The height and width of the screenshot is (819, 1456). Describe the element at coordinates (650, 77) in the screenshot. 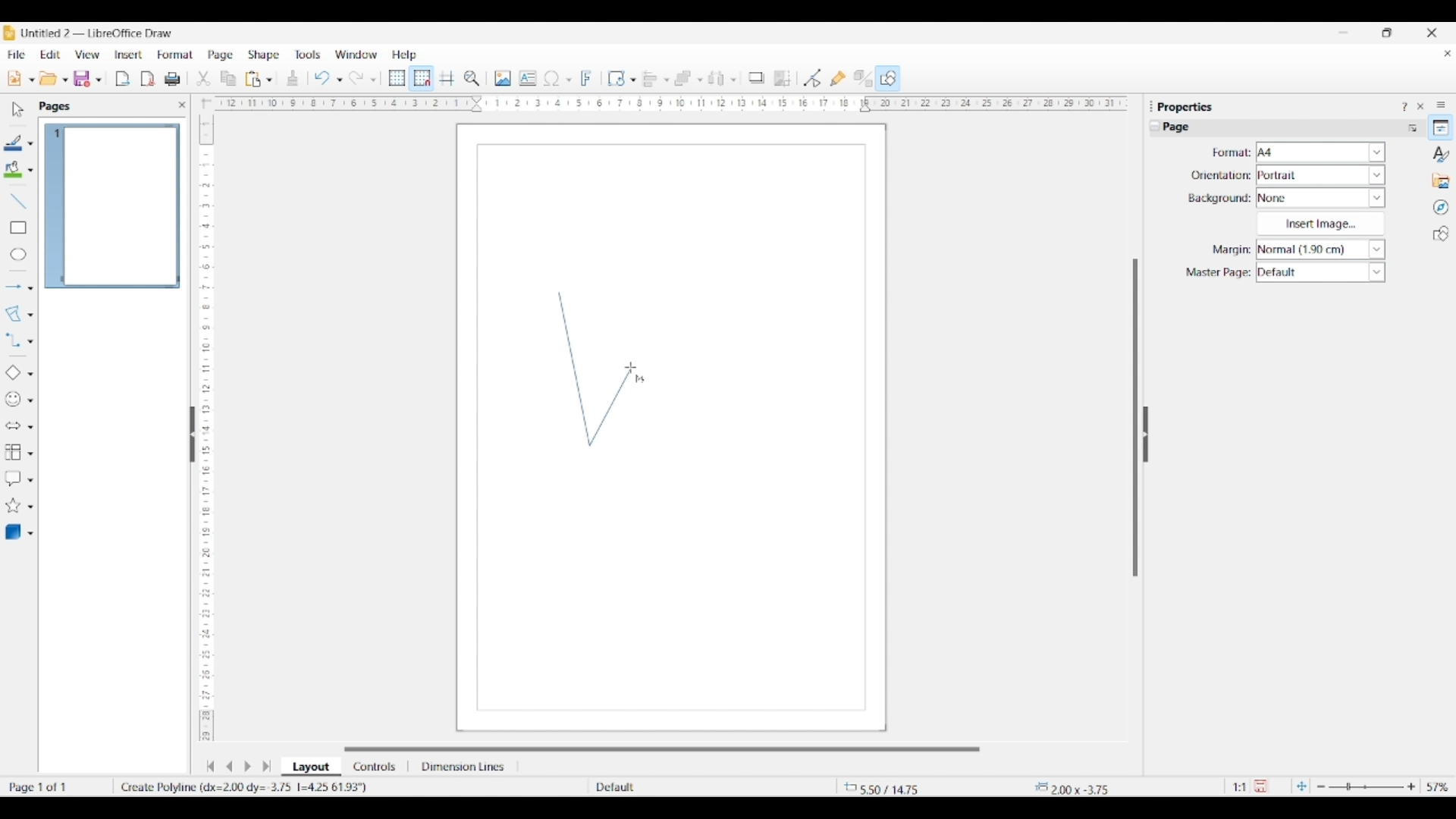

I see `Selected alignment` at that location.